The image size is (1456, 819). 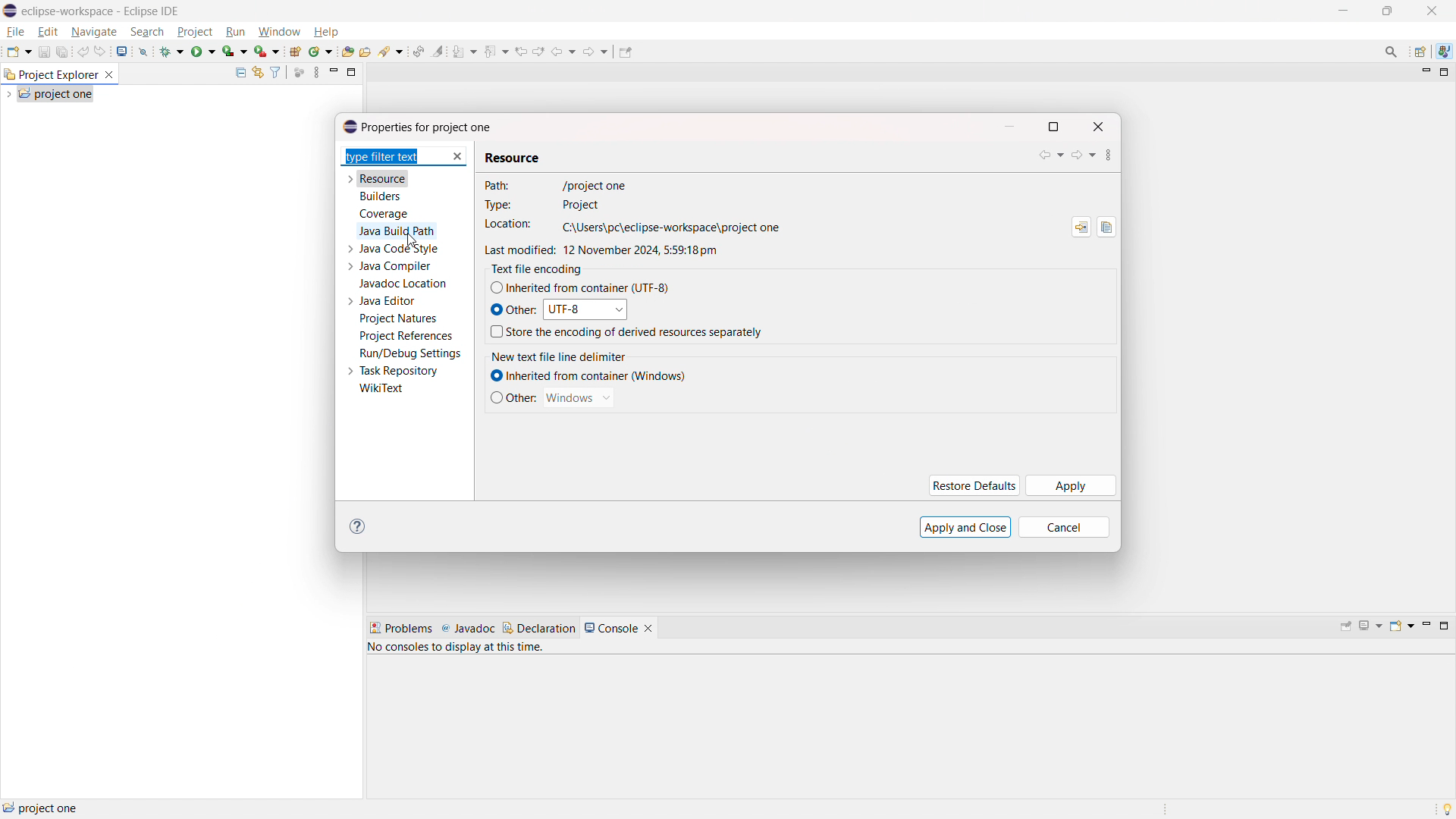 I want to click on minimize, so click(x=1425, y=626).